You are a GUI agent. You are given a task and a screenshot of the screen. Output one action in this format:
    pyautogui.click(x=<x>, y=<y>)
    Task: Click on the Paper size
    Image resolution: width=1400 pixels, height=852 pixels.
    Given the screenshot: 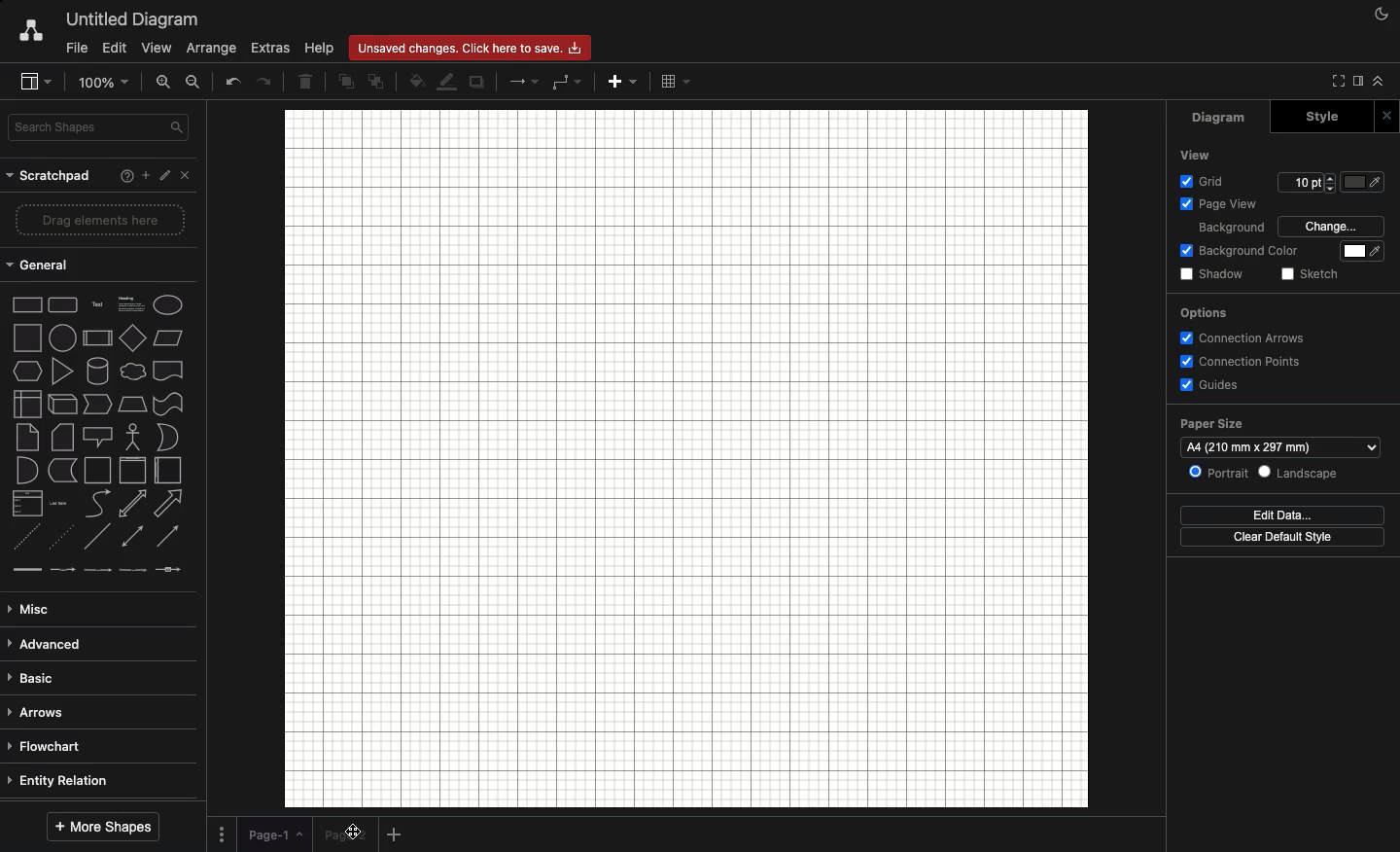 What is the action you would take?
    pyautogui.click(x=1211, y=423)
    